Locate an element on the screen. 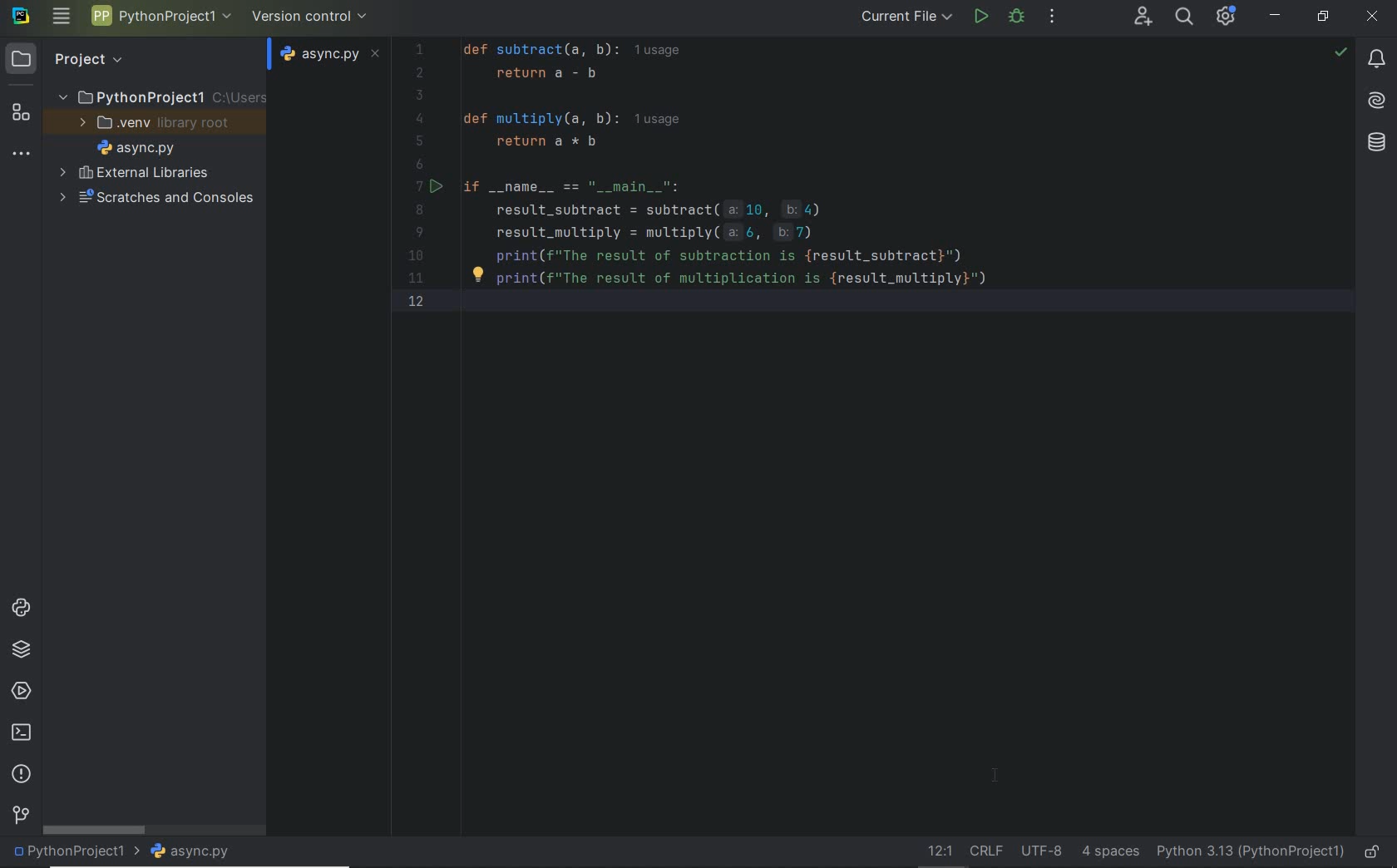 Image resolution: width=1397 pixels, height=868 pixels. main menu is located at coordinates (62, 18).